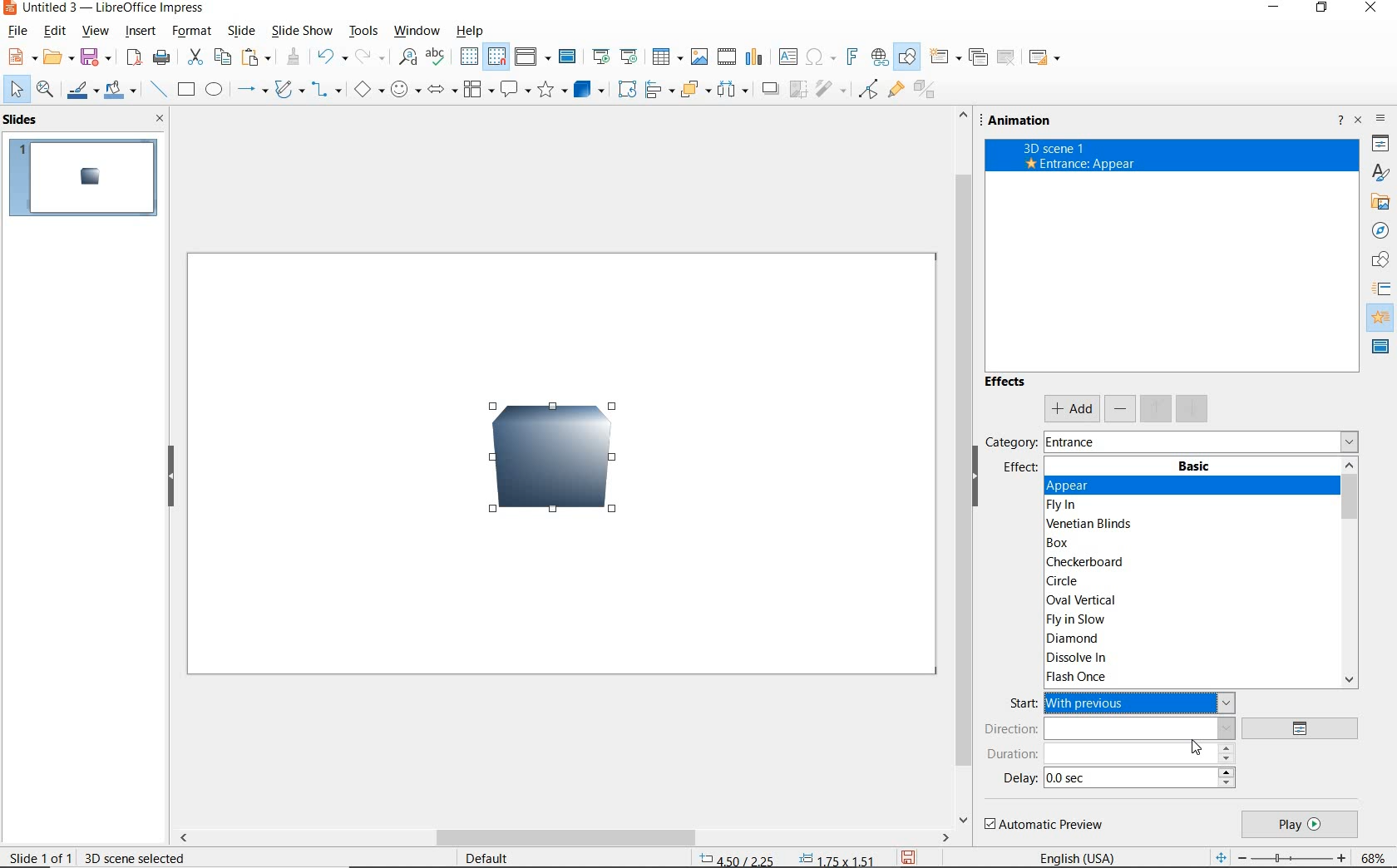 The height and width of the screenshot is (868, 1397). I want to click on show gluepoint functions, so click(896, 91).